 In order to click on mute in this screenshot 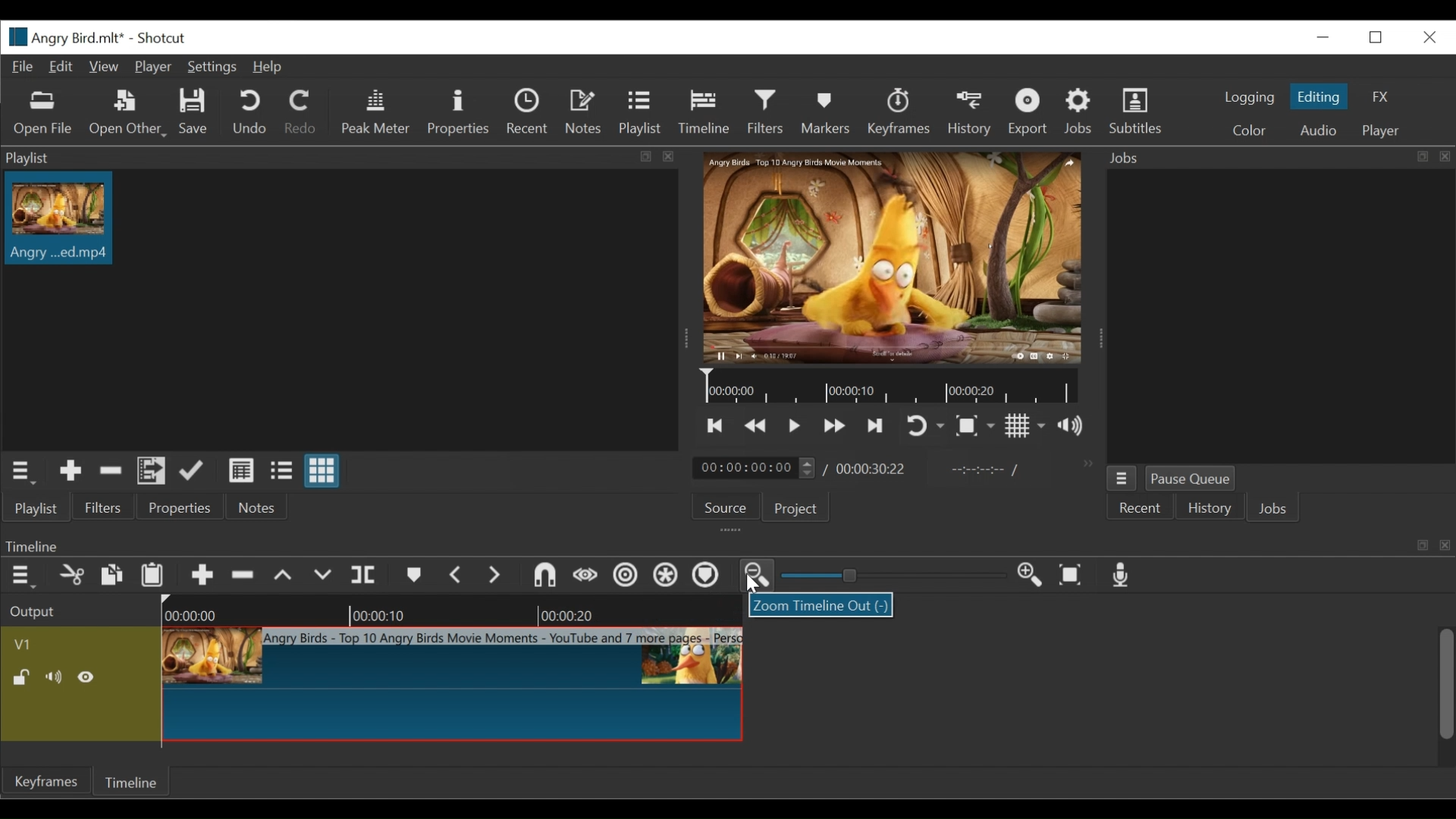, I will do `click(55, 677)`.